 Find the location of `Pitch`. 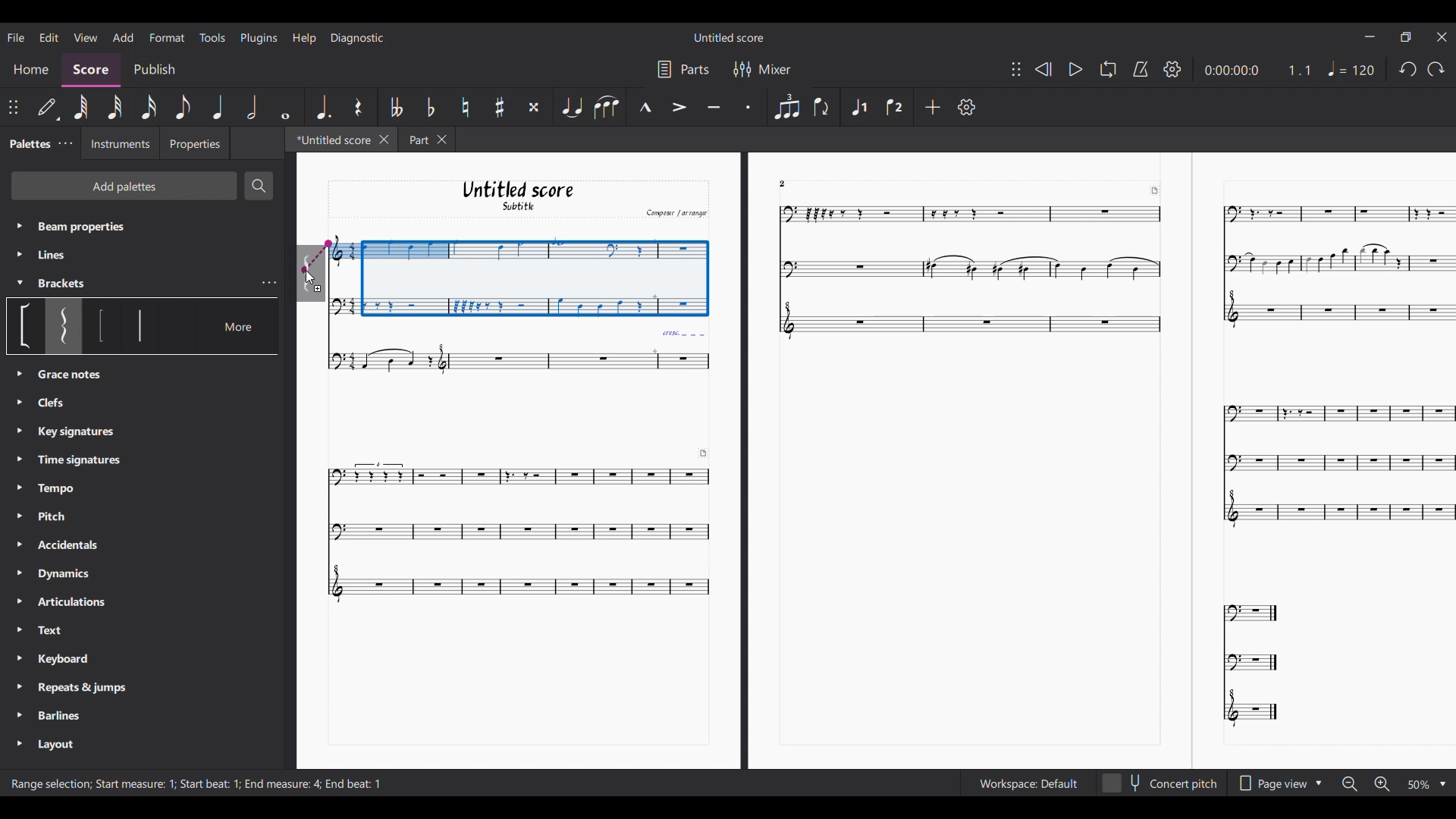

Pitch is located at coordinates (61, 518).